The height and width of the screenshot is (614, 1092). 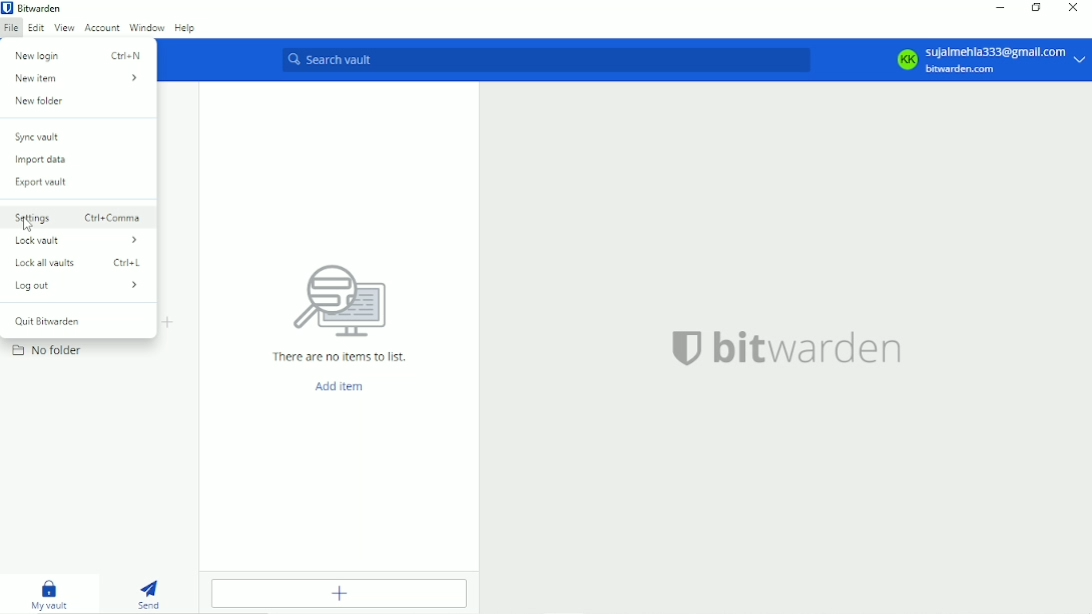 What do you see at coordinates (10, 30) in the screenshot?
I see `File` at bounding box center [10, 30].